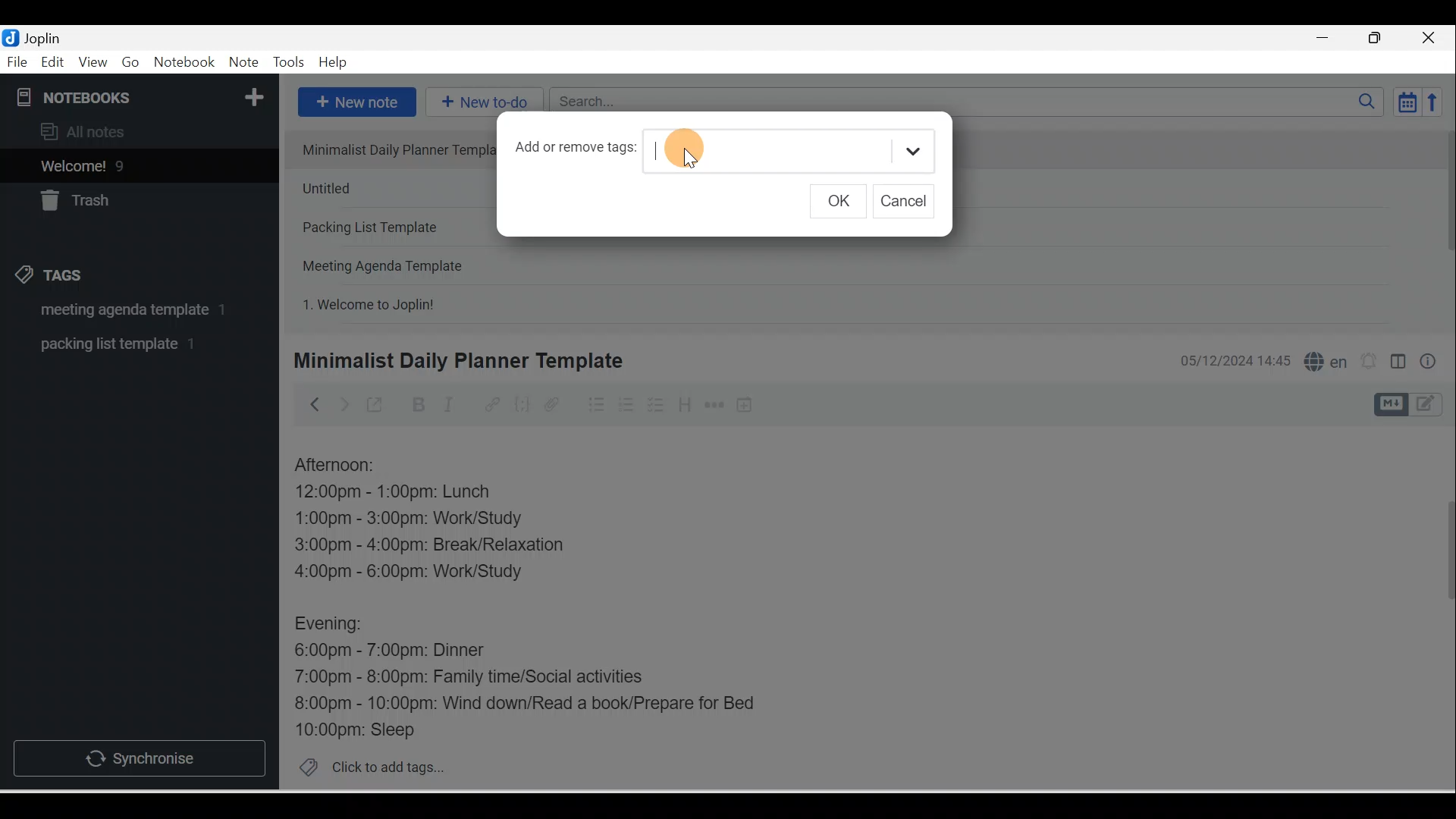  Describe the element at coordinates (46, 36) in the screenshot. I see `Joplin` at that location.